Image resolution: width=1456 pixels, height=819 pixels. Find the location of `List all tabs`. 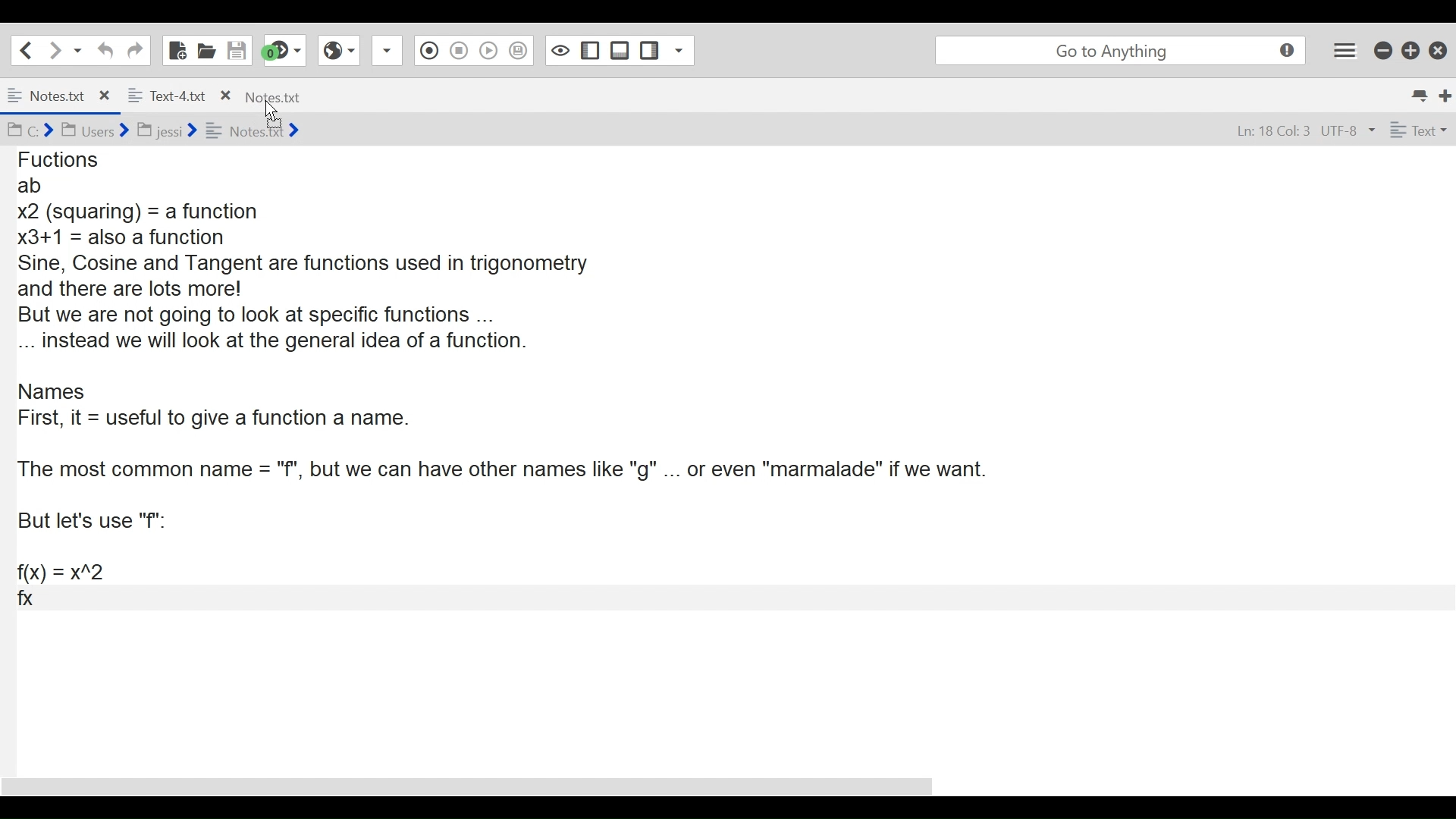

List all tabs is located at coordinates (1418, 93).